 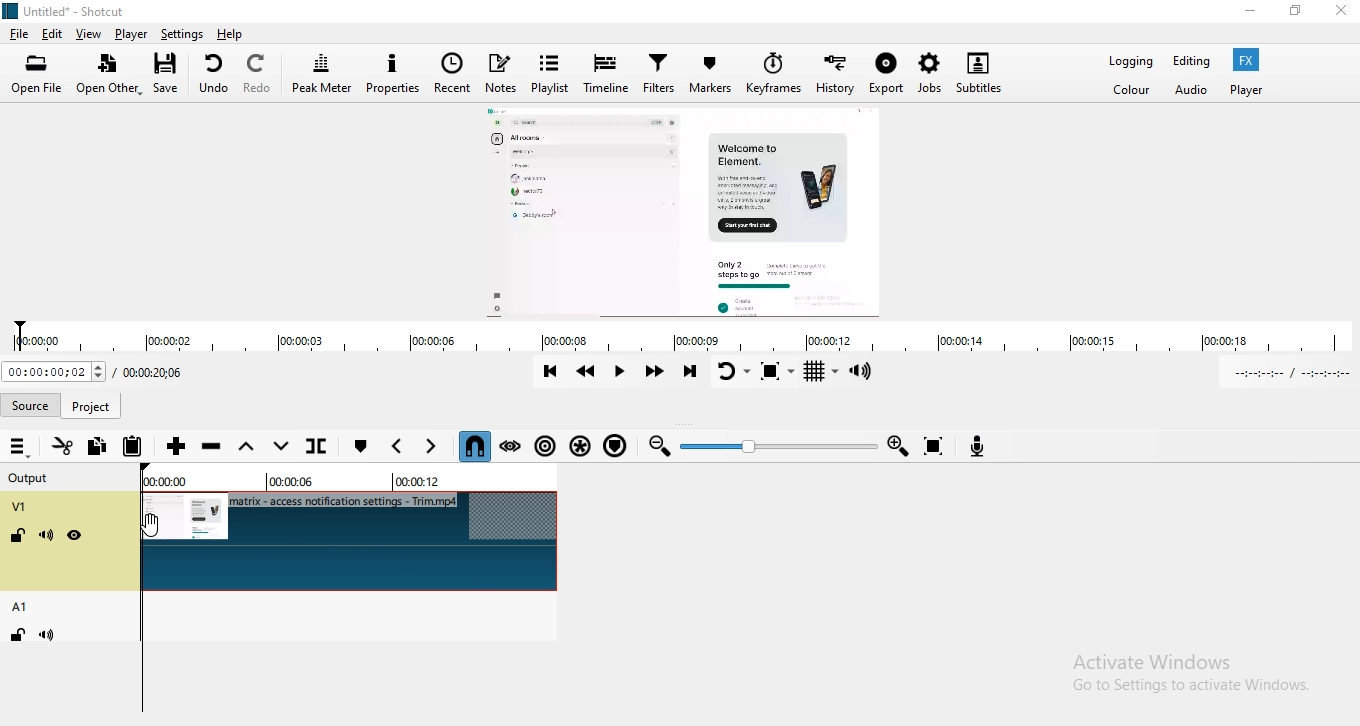 What do you see at coordinates (237, 33) in the screenshot?
I see `help` at bounding box center [237, 33].